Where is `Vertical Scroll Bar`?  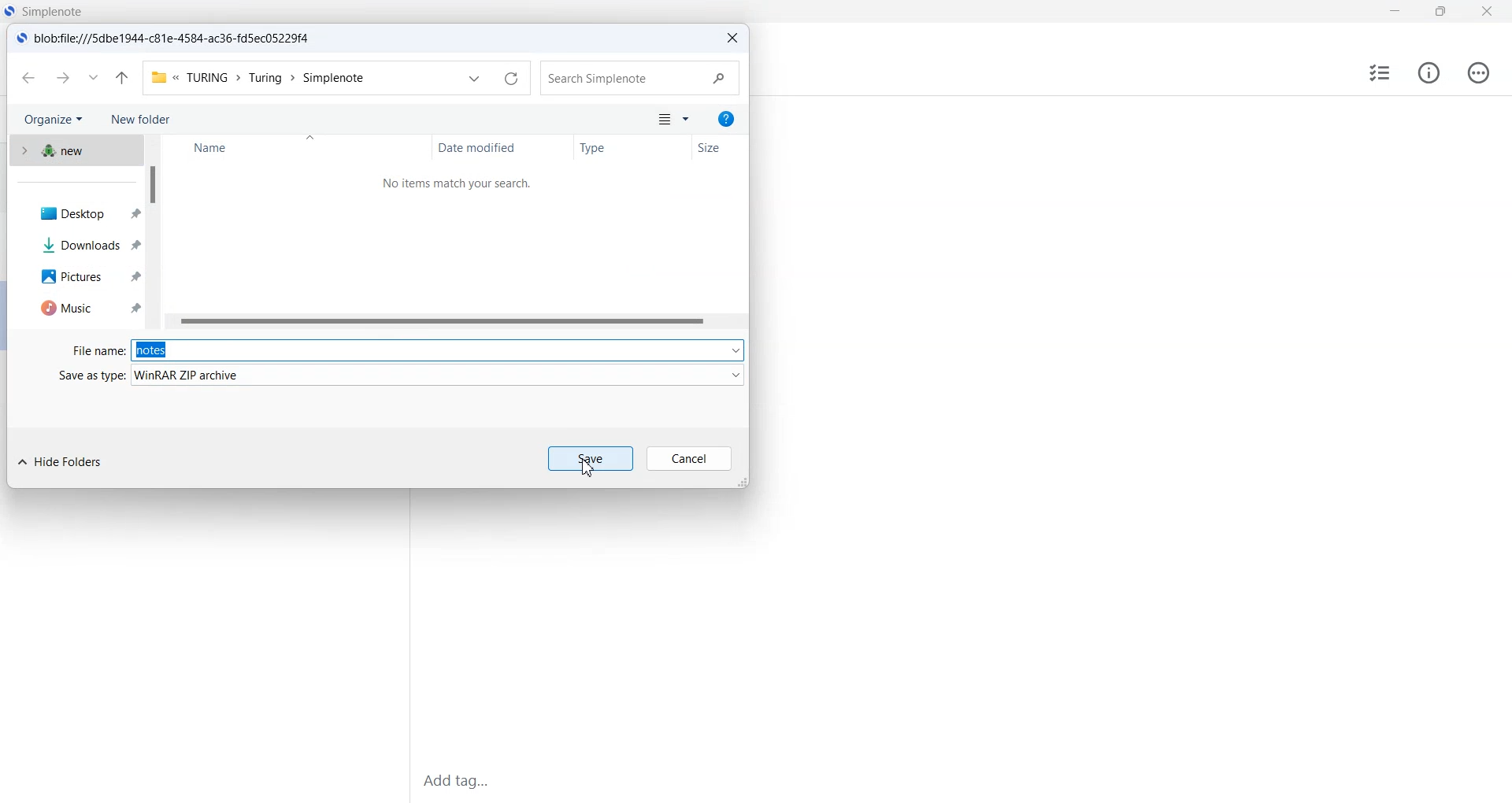 Vertical Scroll Bar is located at coordinates (154, 234).